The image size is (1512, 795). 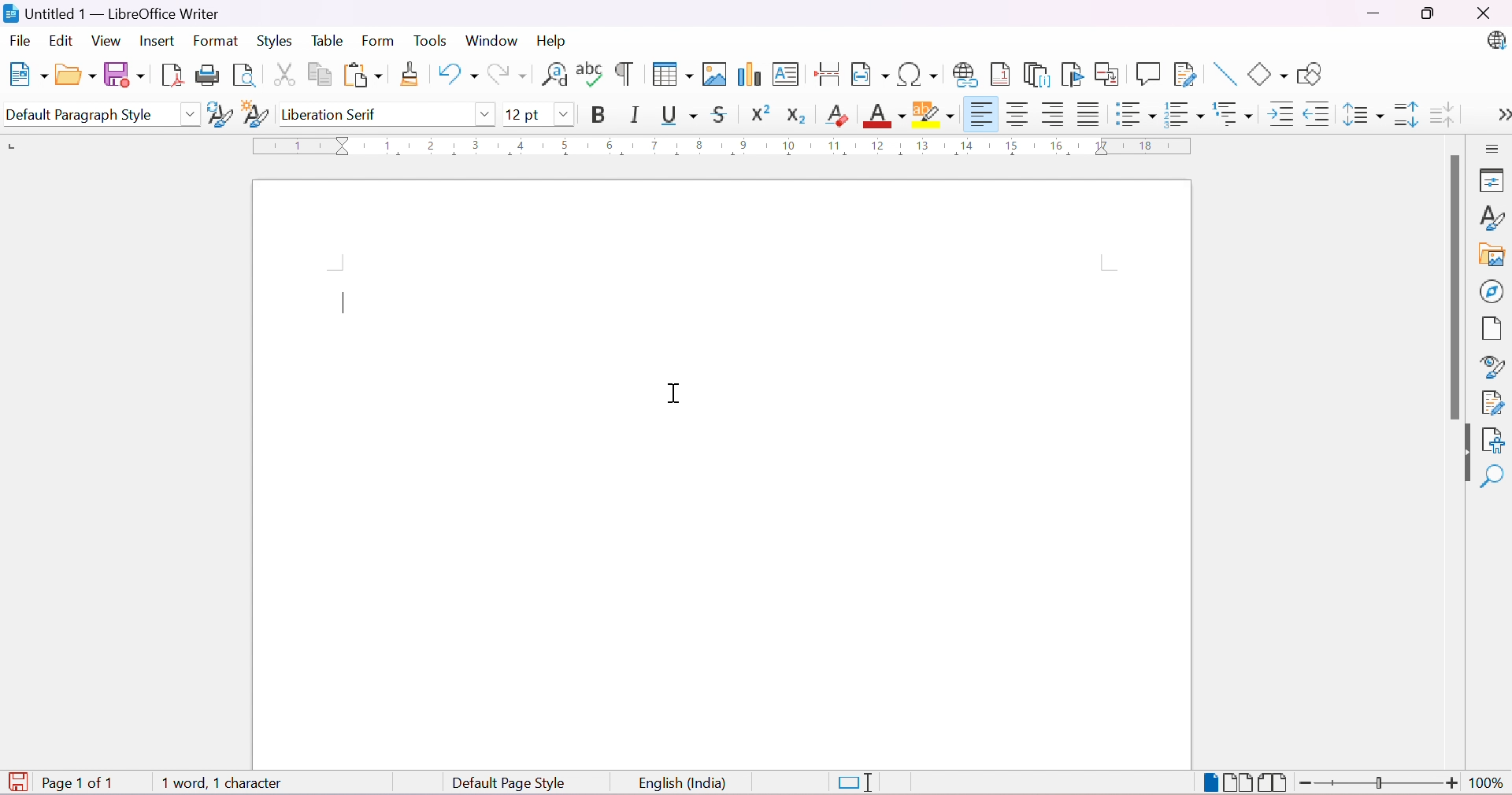 What do you see at coordinates (1490, 255) in the screenshot?
I see `Gallery` at bounding box center [1490, 255].